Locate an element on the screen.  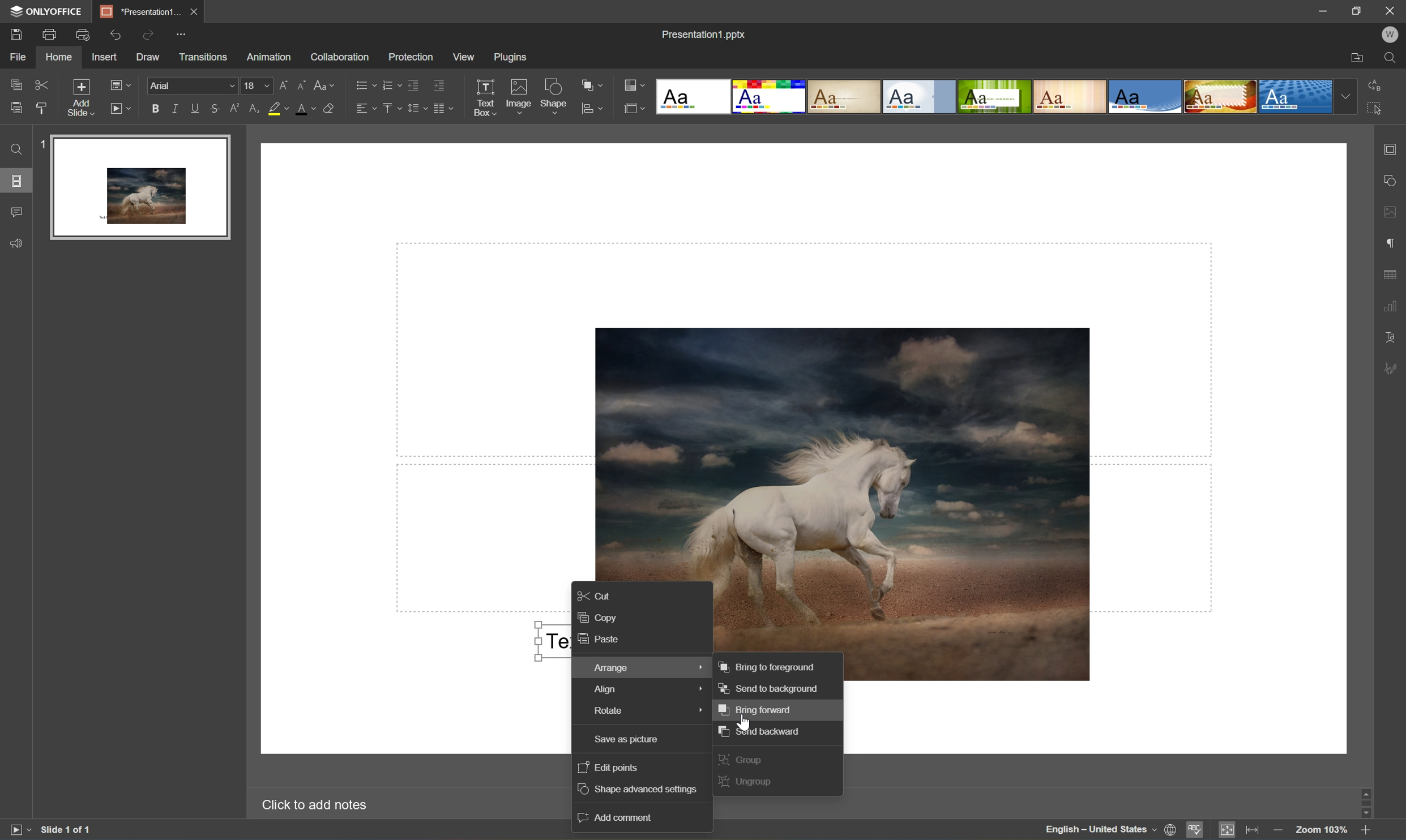
Save is located at coordinates (16, 35).